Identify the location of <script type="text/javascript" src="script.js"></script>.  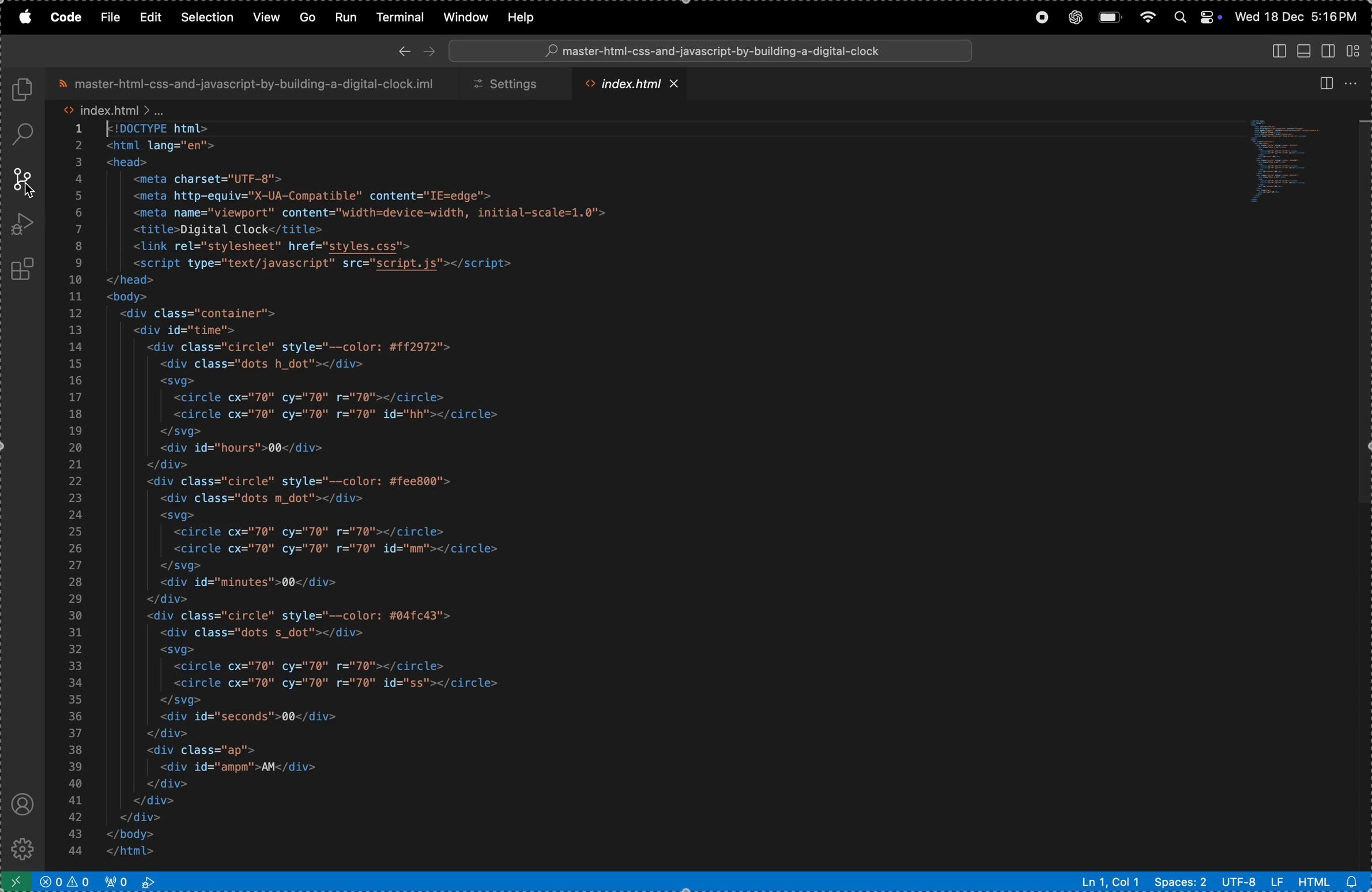
(338, 264).